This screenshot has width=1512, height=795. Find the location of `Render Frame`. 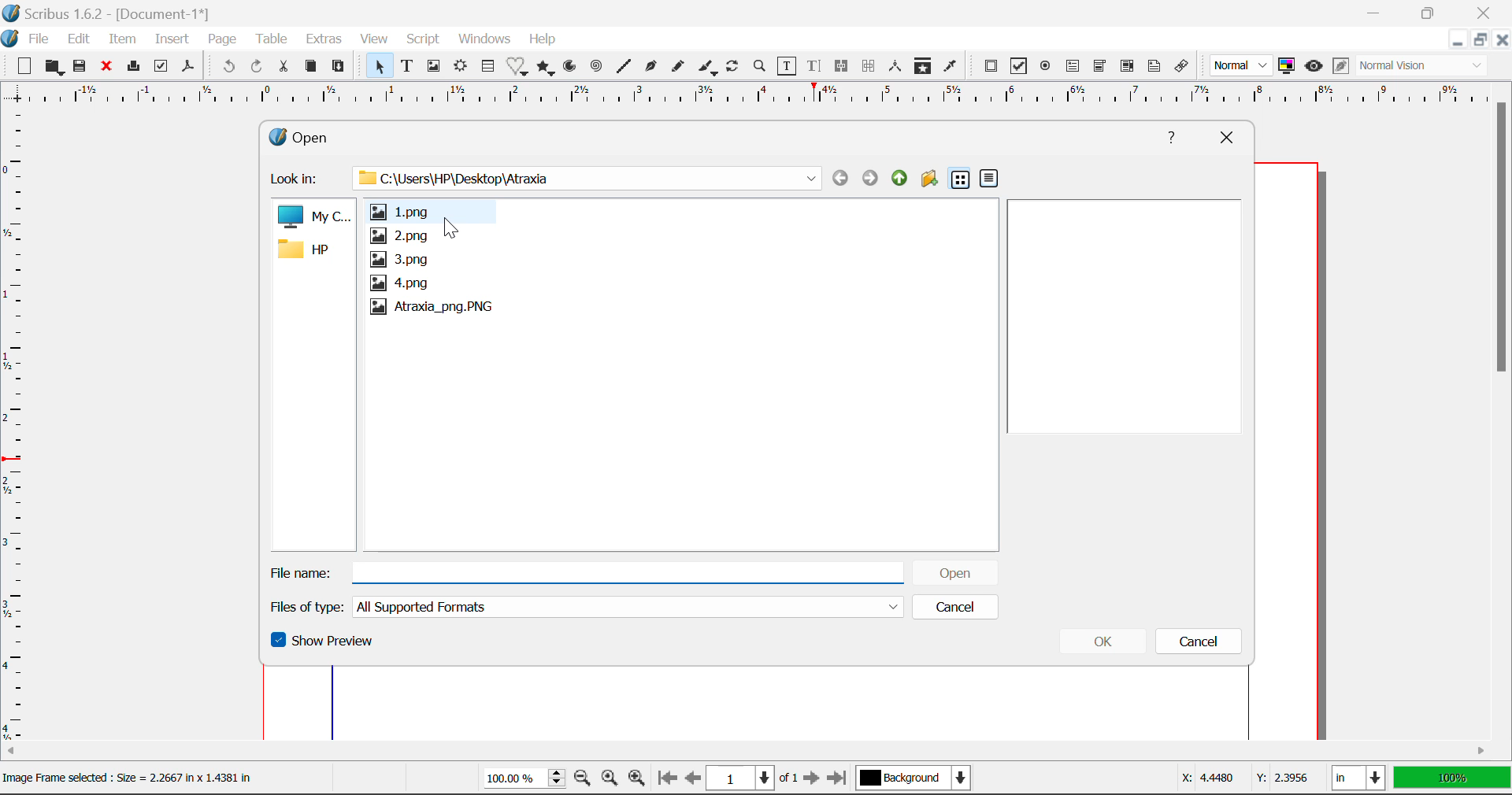

Render Frame is located at coordinates (461, 67).